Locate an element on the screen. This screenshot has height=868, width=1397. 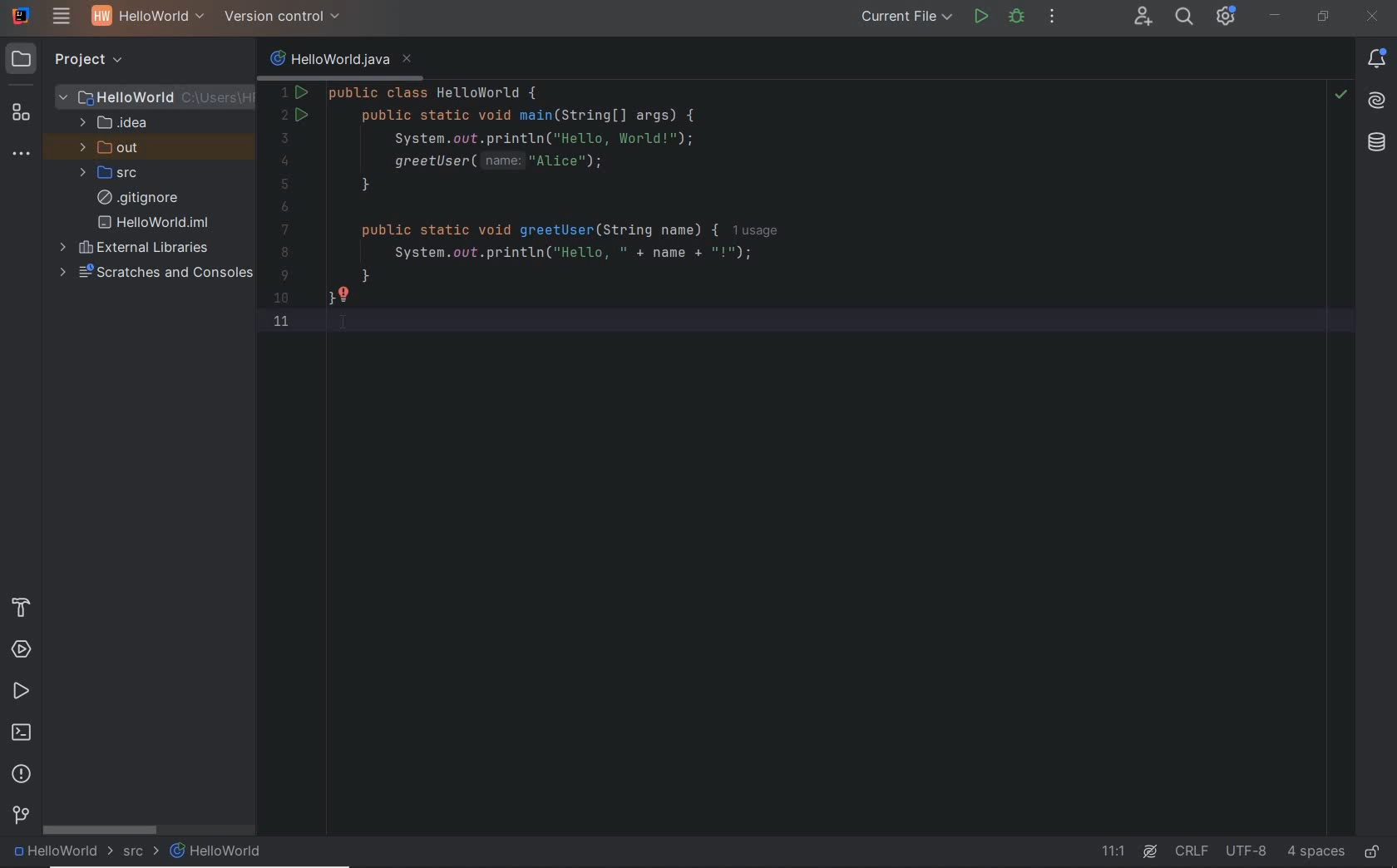
main menu is located at coordinates (62, 18).